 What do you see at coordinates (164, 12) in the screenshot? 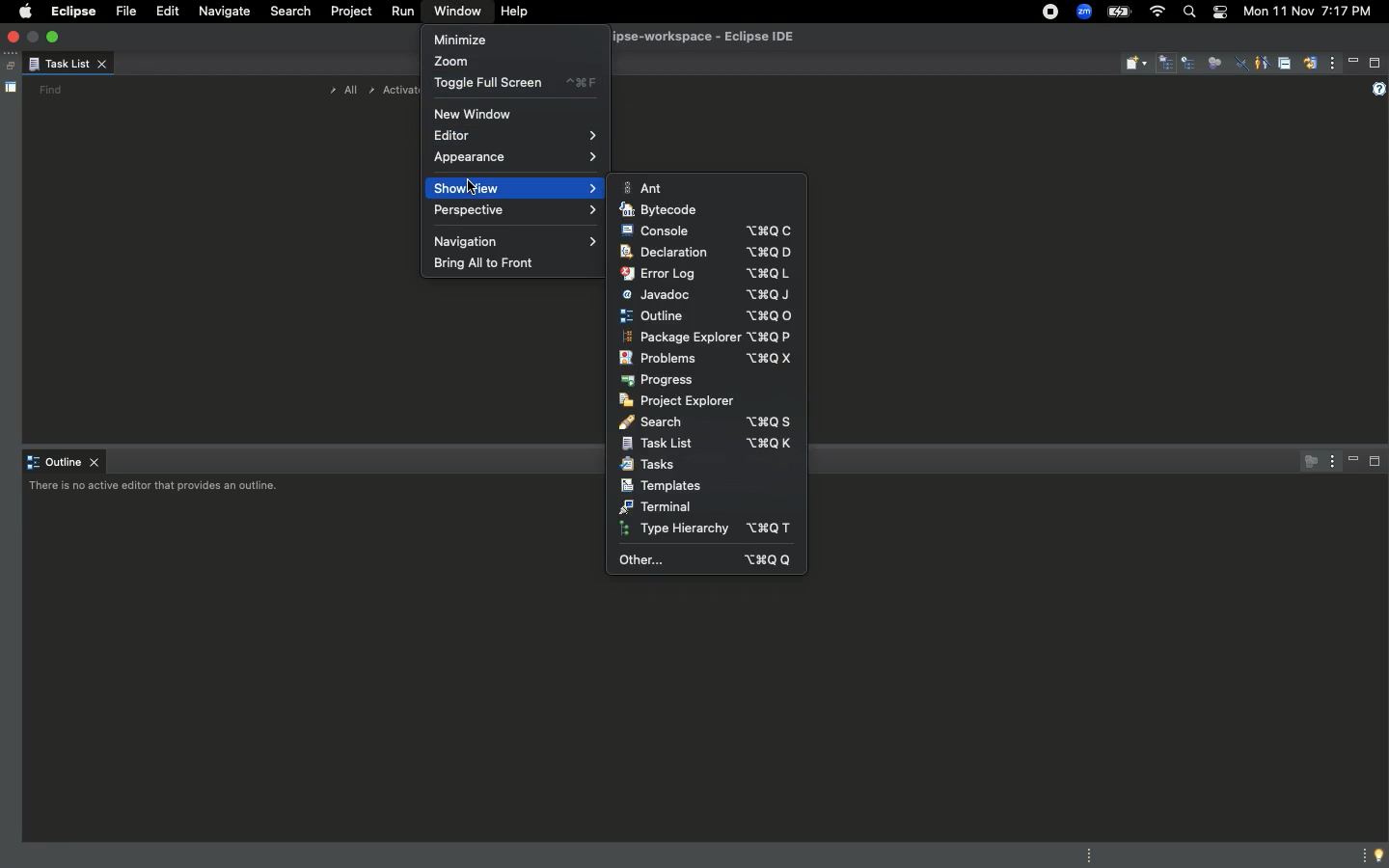
I see `Edit` at bounding box center [164, 12].